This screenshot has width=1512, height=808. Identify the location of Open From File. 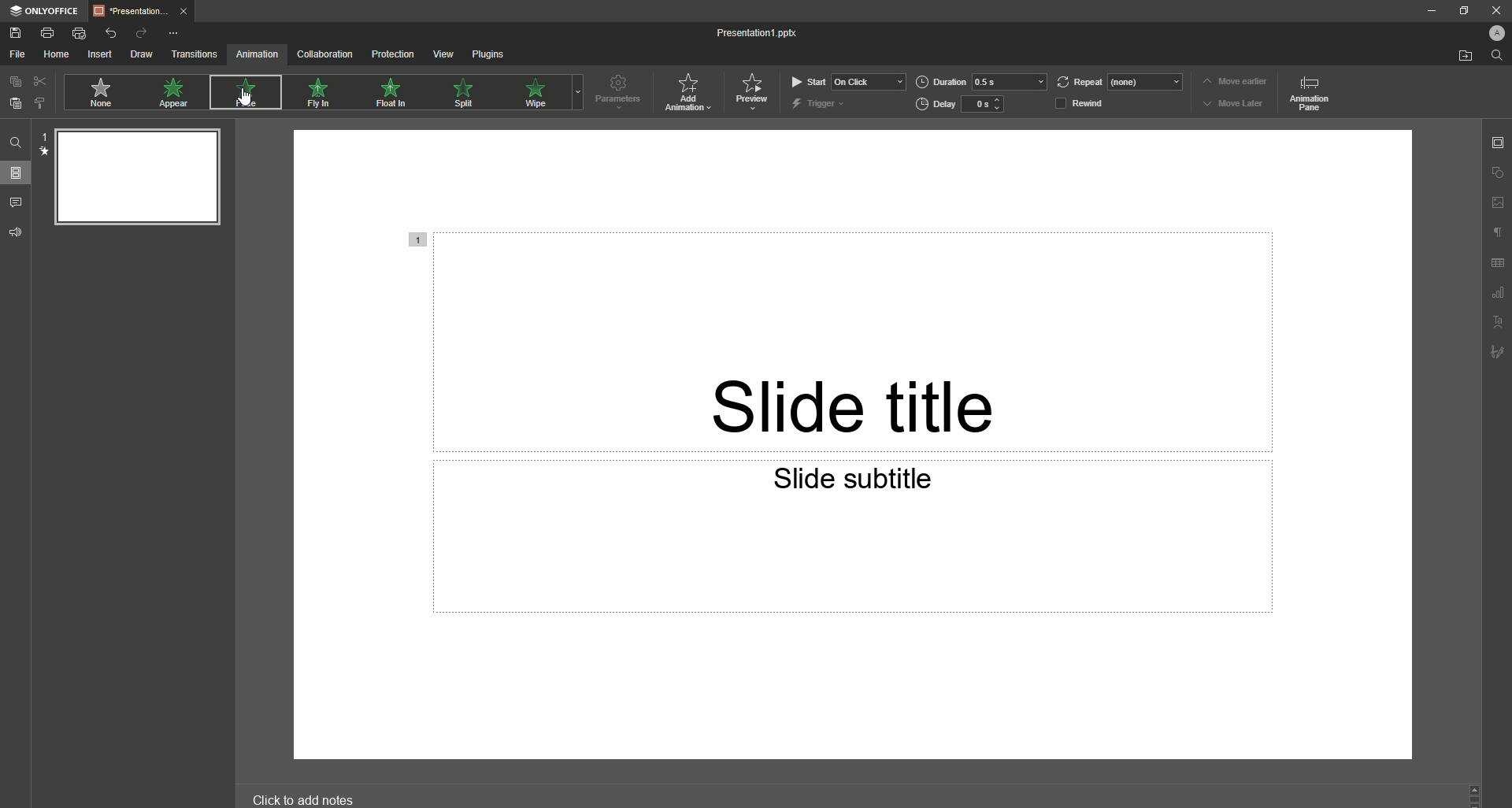
(1457, 56).